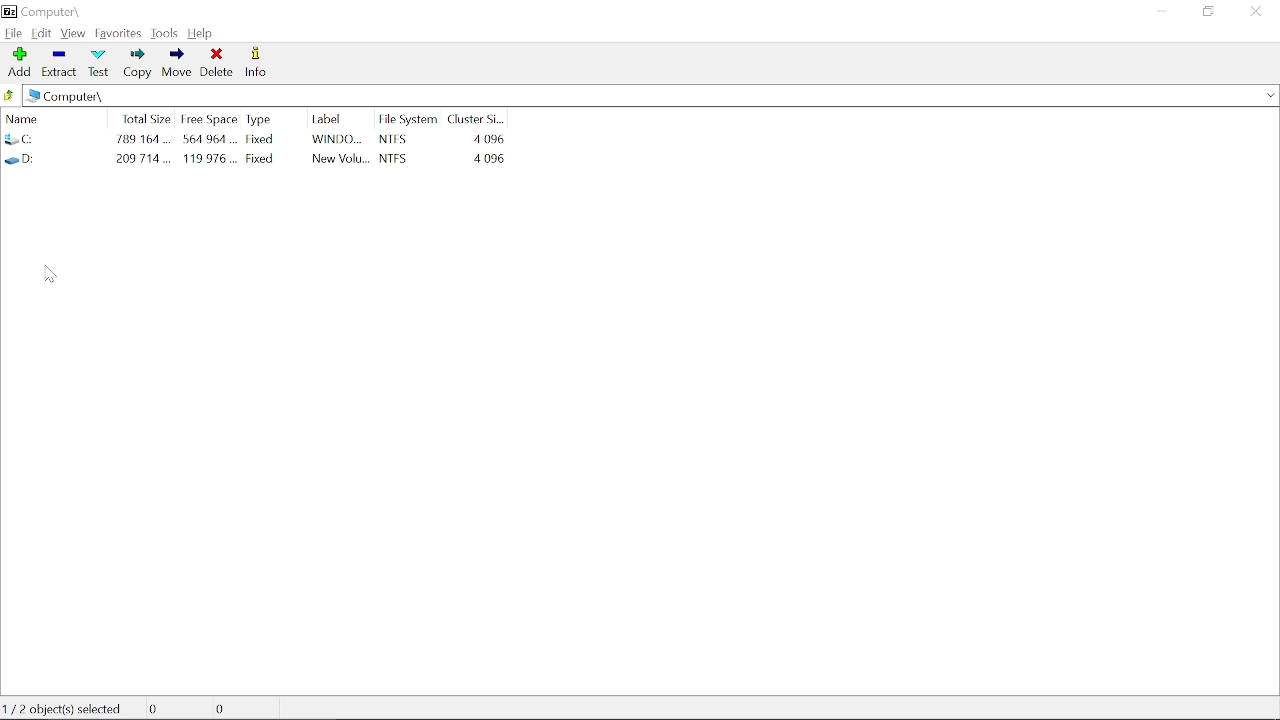  Describe the element at coordinates (264, 148) in the screenshot. I see `Fixed Fixed` at that location.